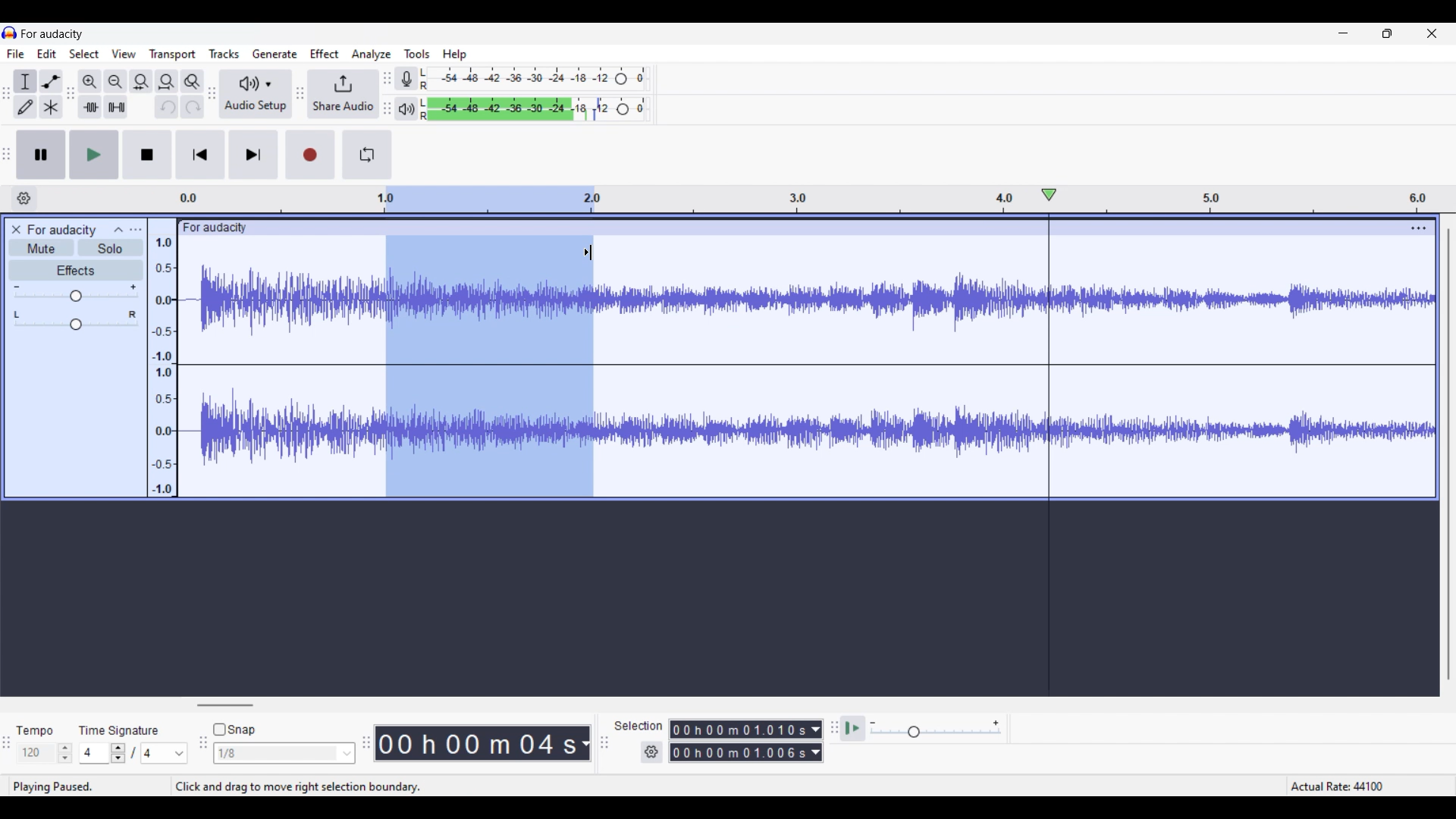  What do you see at coordinates (816, 741) in the screenshot?
I see `Duration measurement options` at bounding box center [816, 741].